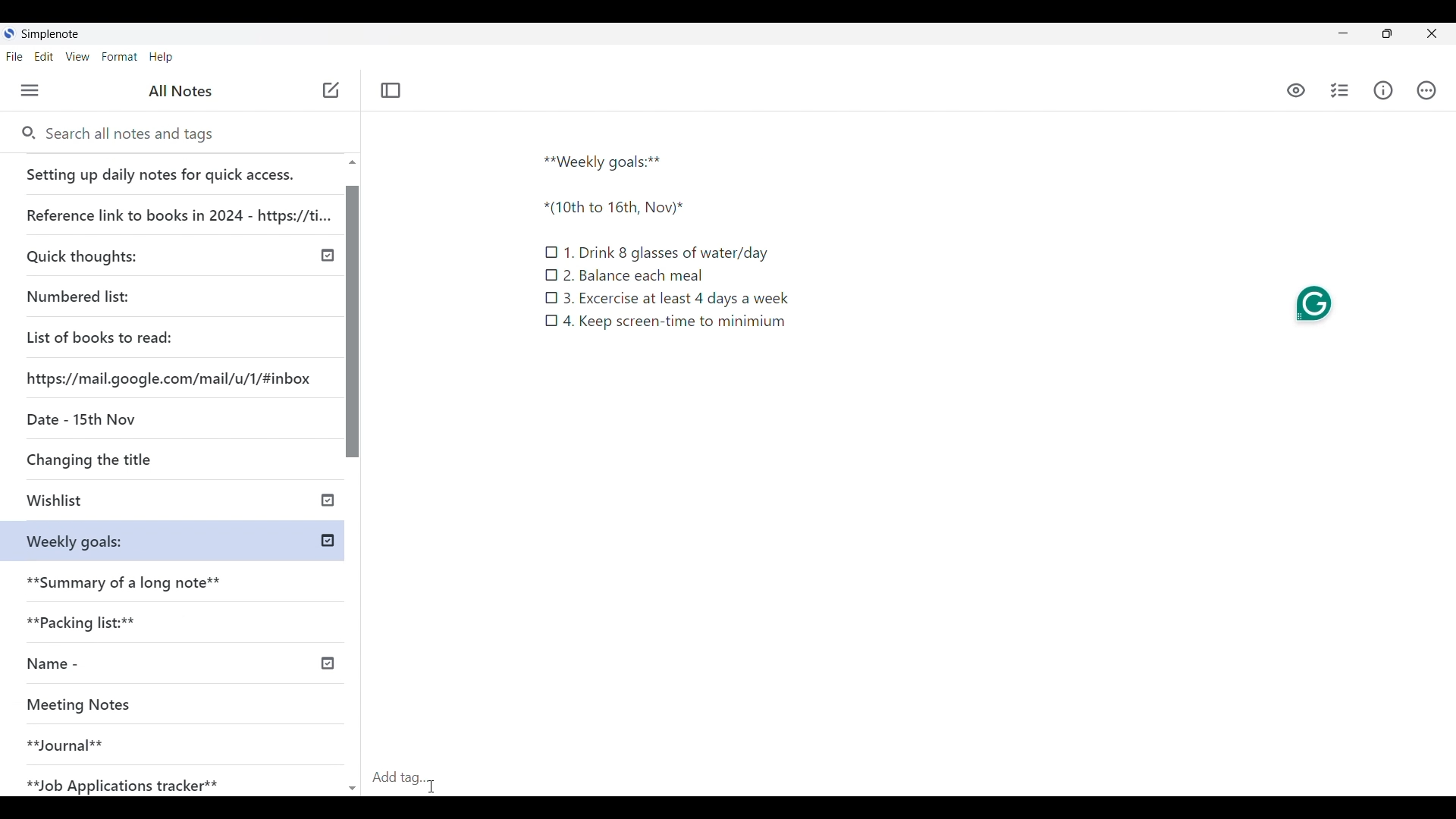 The height and width of the screenshot is (819, 1456). Describe the element at coordinates (127, 502) in the screenshot. I see `Wishlist` at that location.